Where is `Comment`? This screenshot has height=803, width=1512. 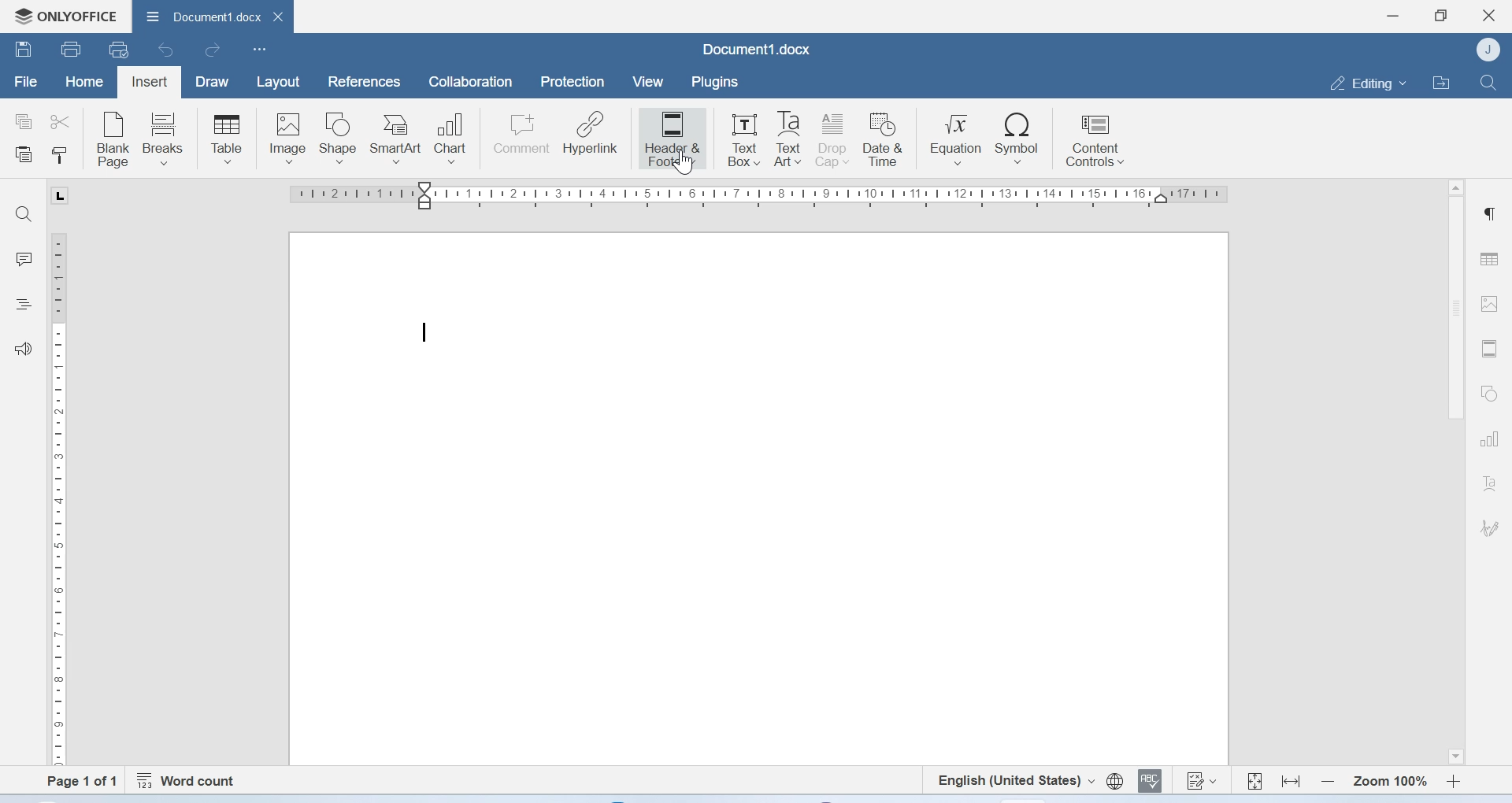 Comment is located at coordinates (522, 135).